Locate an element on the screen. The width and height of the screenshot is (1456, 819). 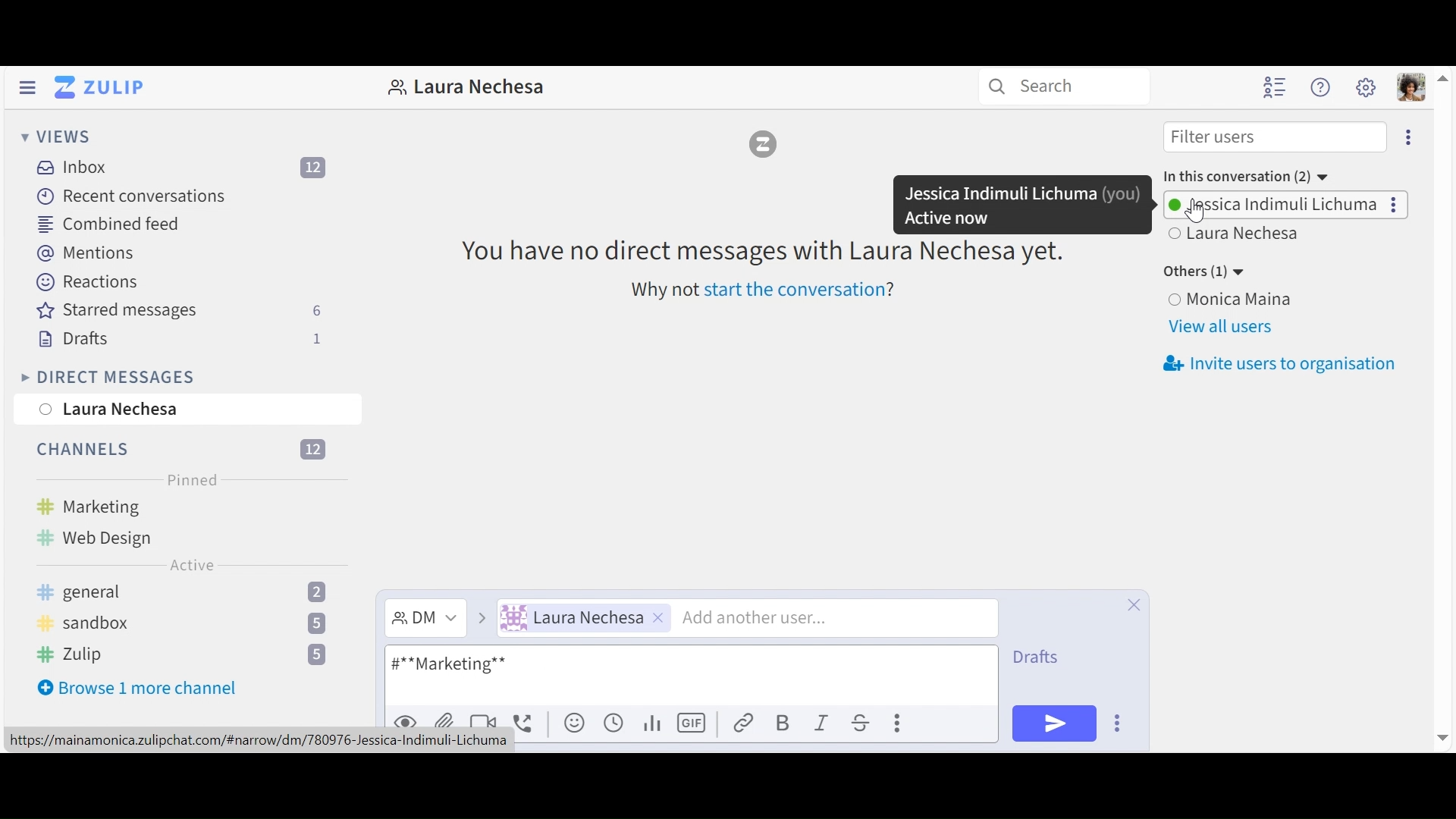
Dialogue message showing user name and status is located at coordinates (1021, 203).